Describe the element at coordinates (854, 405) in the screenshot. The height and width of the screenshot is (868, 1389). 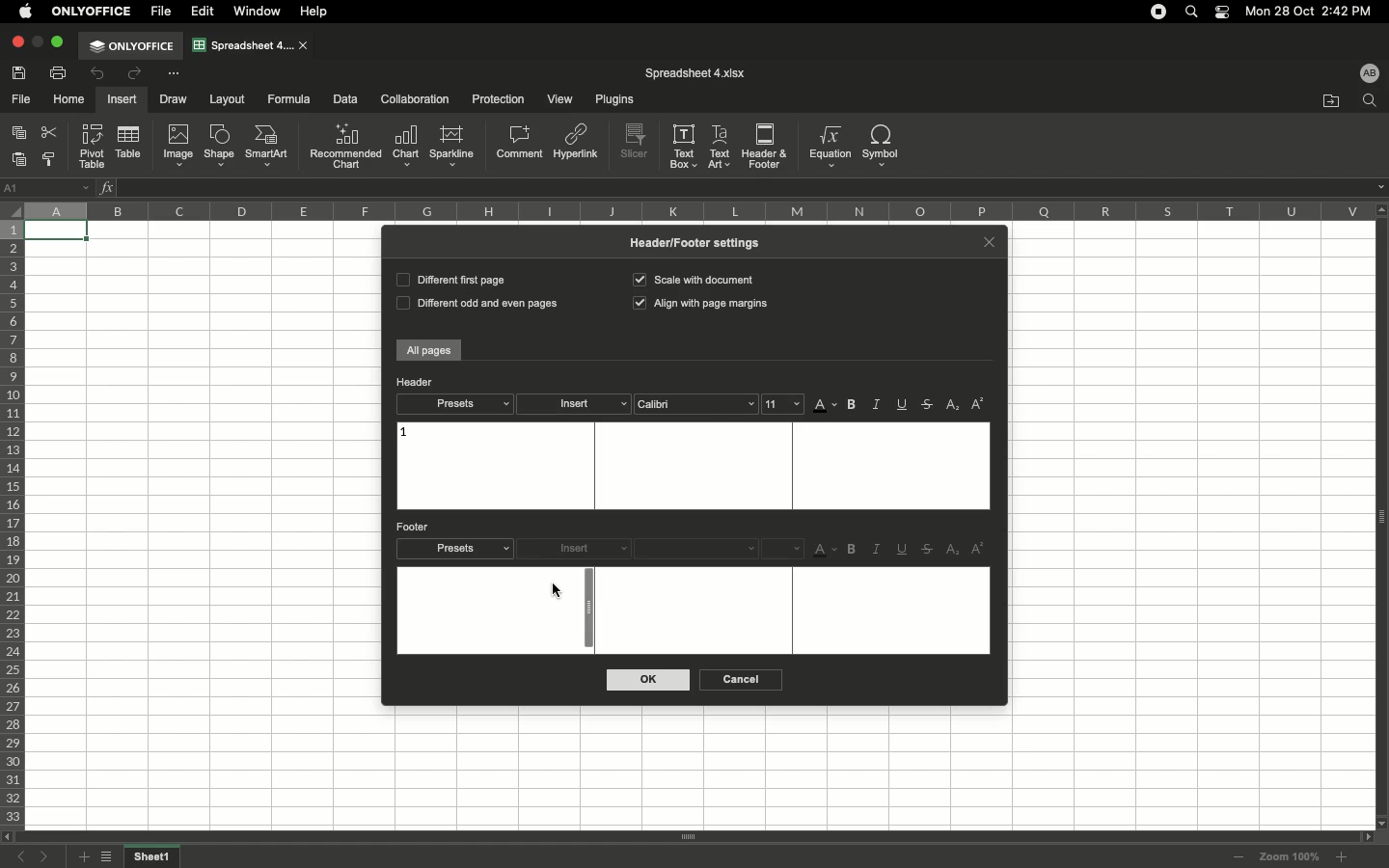
I see `Bold` at that location.